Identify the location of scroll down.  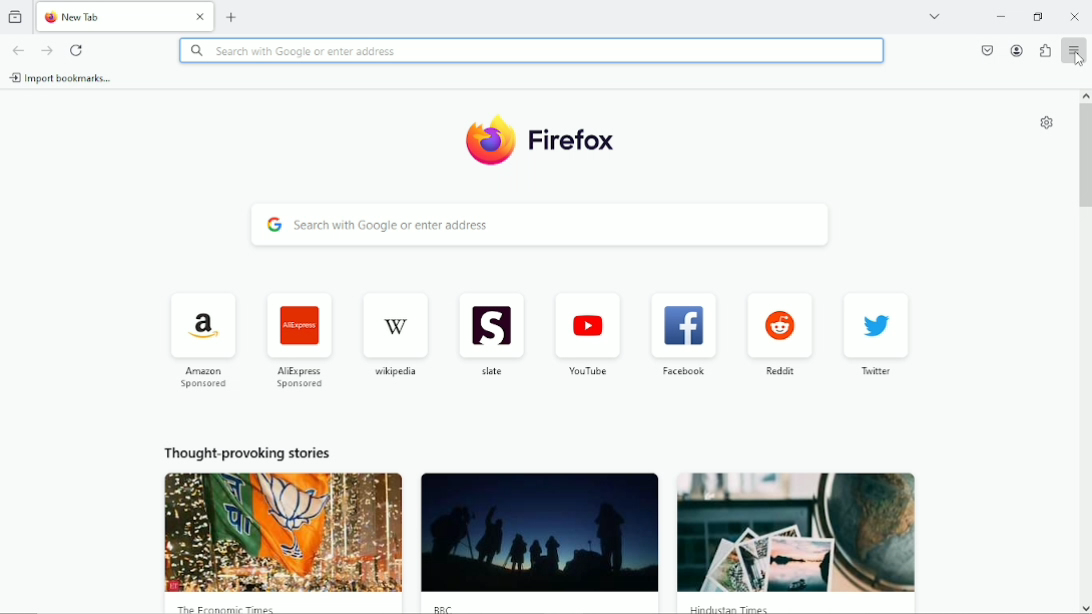
(1085, 609).